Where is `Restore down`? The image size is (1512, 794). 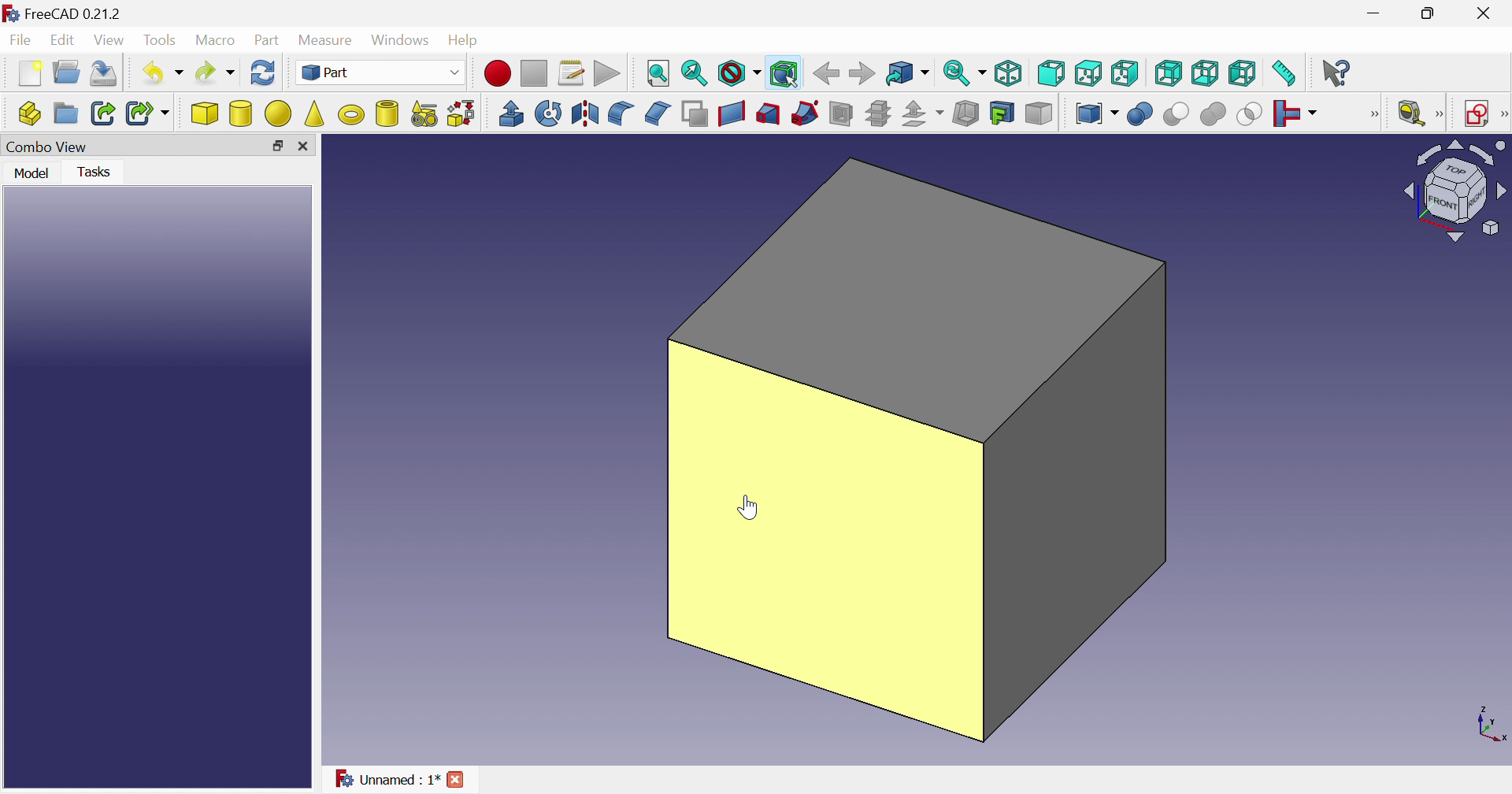
Restore down is located at coordinates (277, 149).